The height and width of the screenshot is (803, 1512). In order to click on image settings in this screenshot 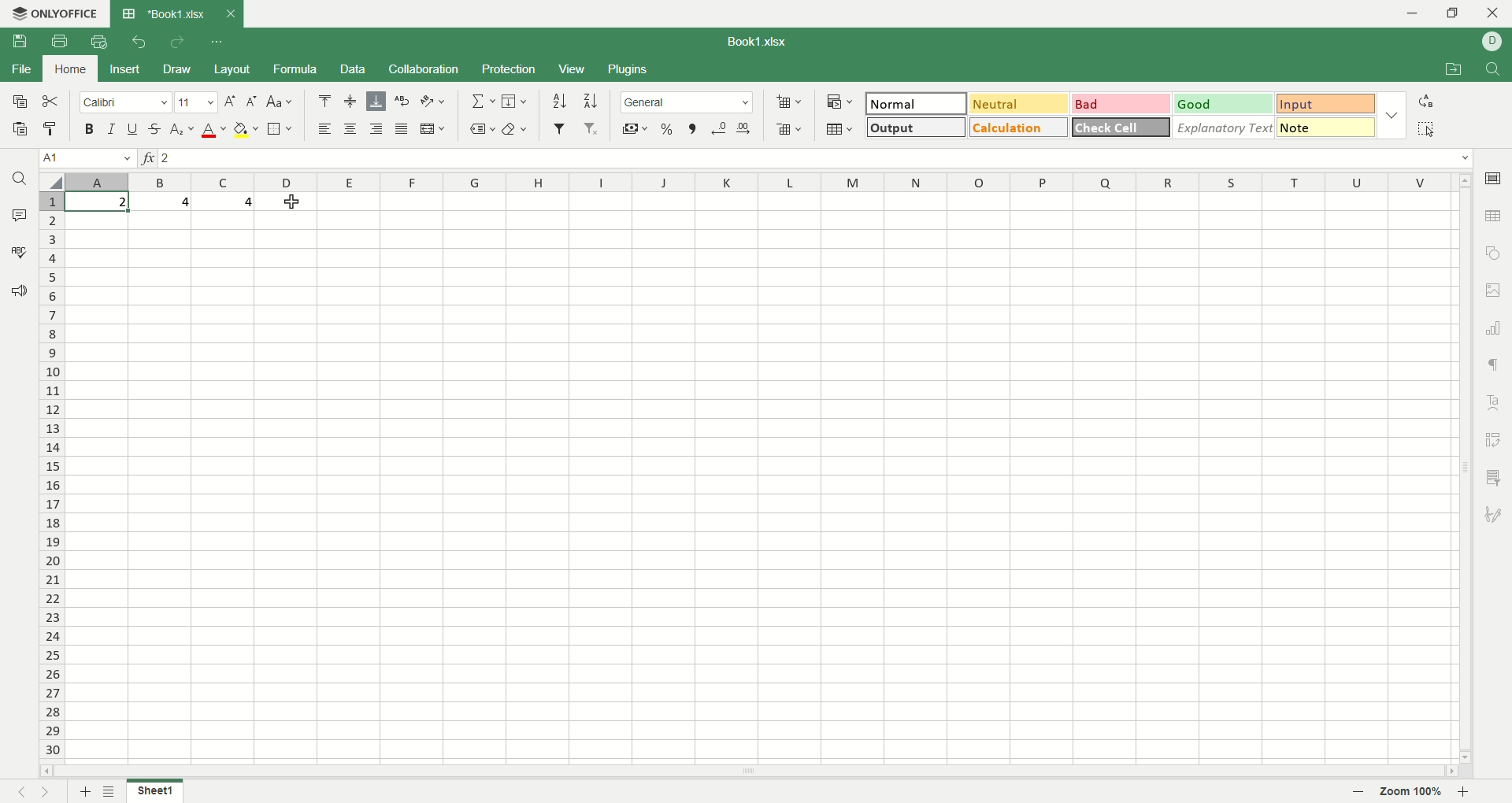, I will do `click(1496, 291)`.